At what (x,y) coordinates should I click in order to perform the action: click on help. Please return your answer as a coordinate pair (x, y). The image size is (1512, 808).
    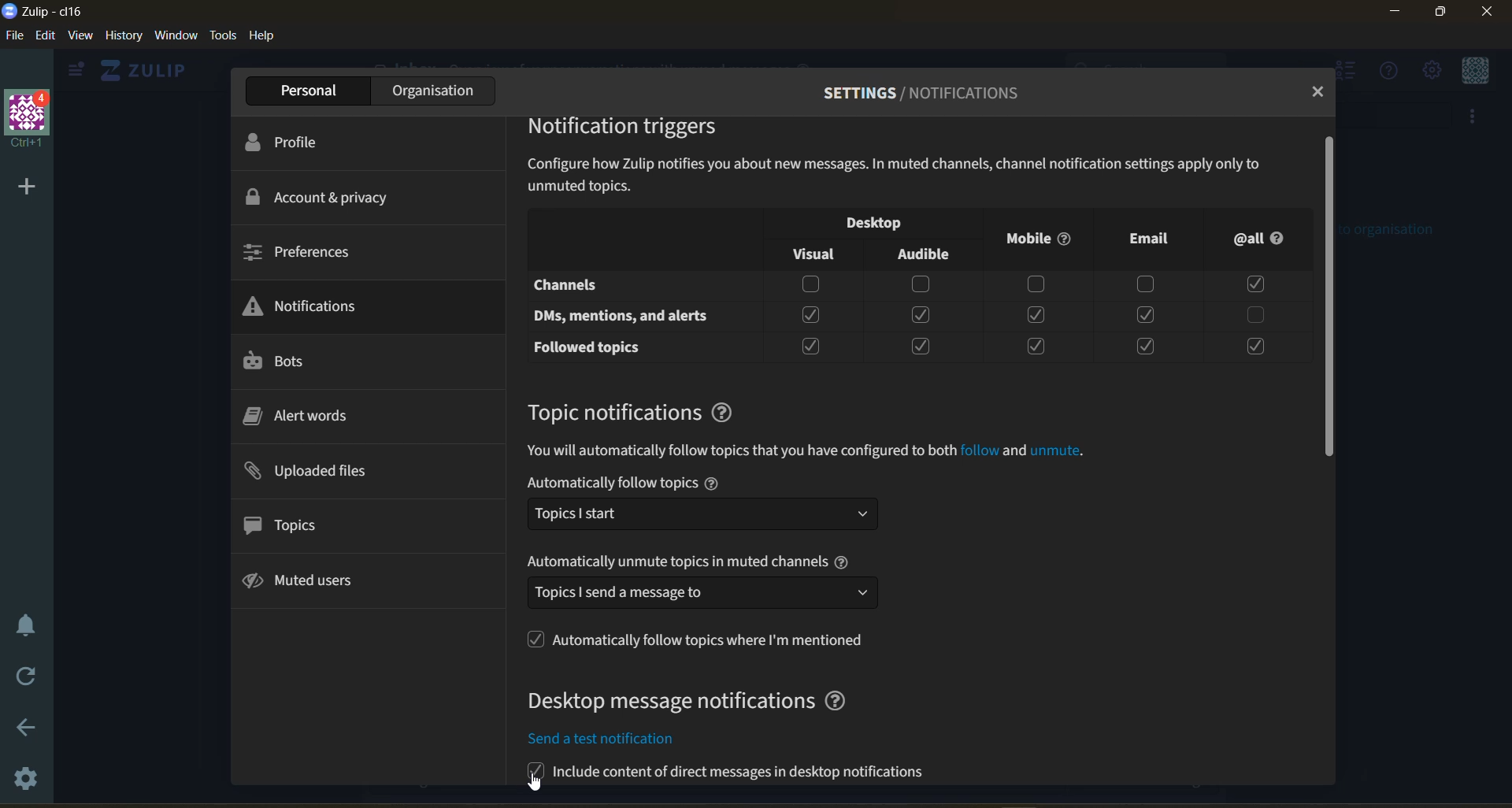
    Looking at the image, I should click on (265, 38).